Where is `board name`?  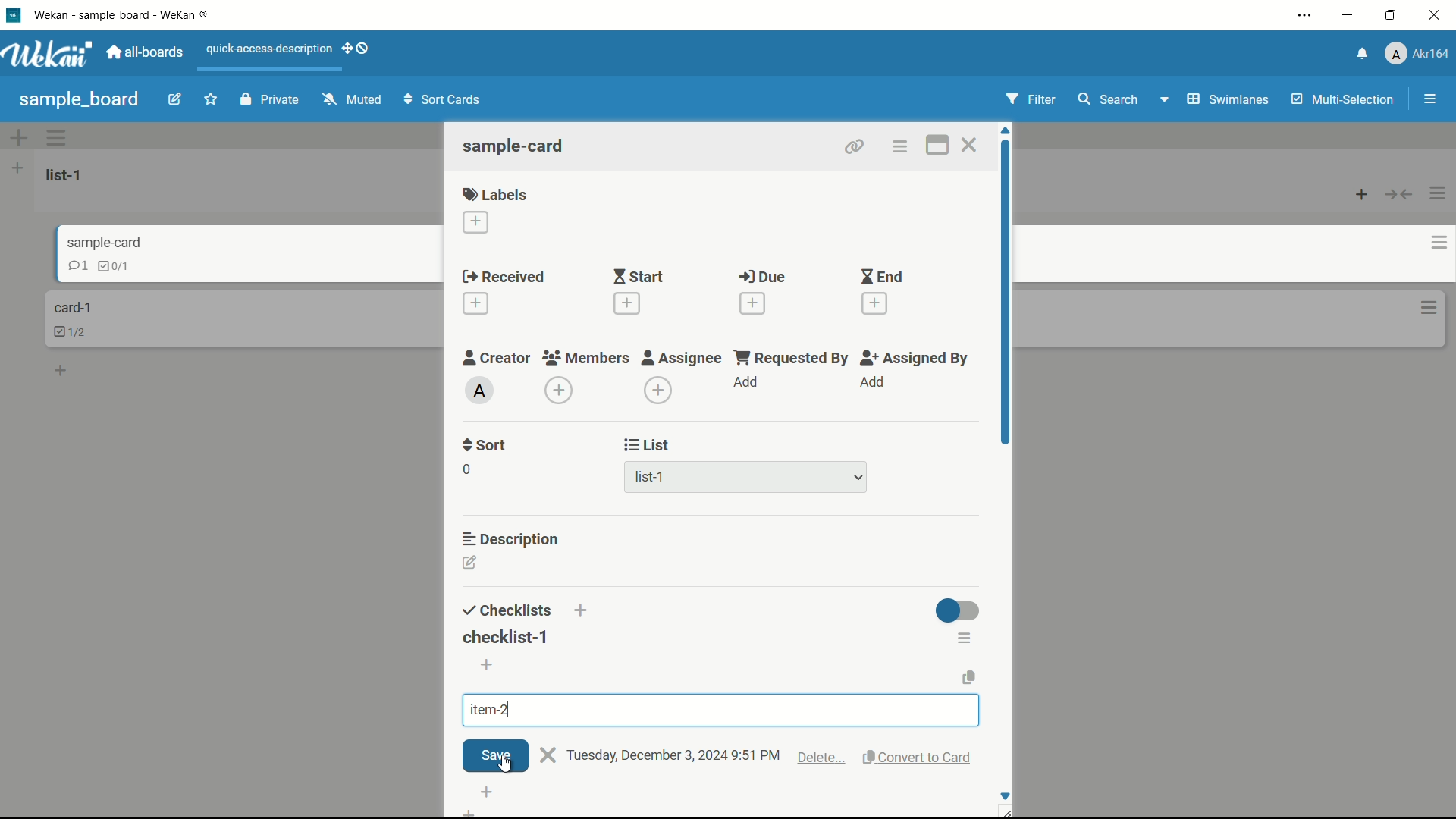 board name is located at coordinates (79, 101).